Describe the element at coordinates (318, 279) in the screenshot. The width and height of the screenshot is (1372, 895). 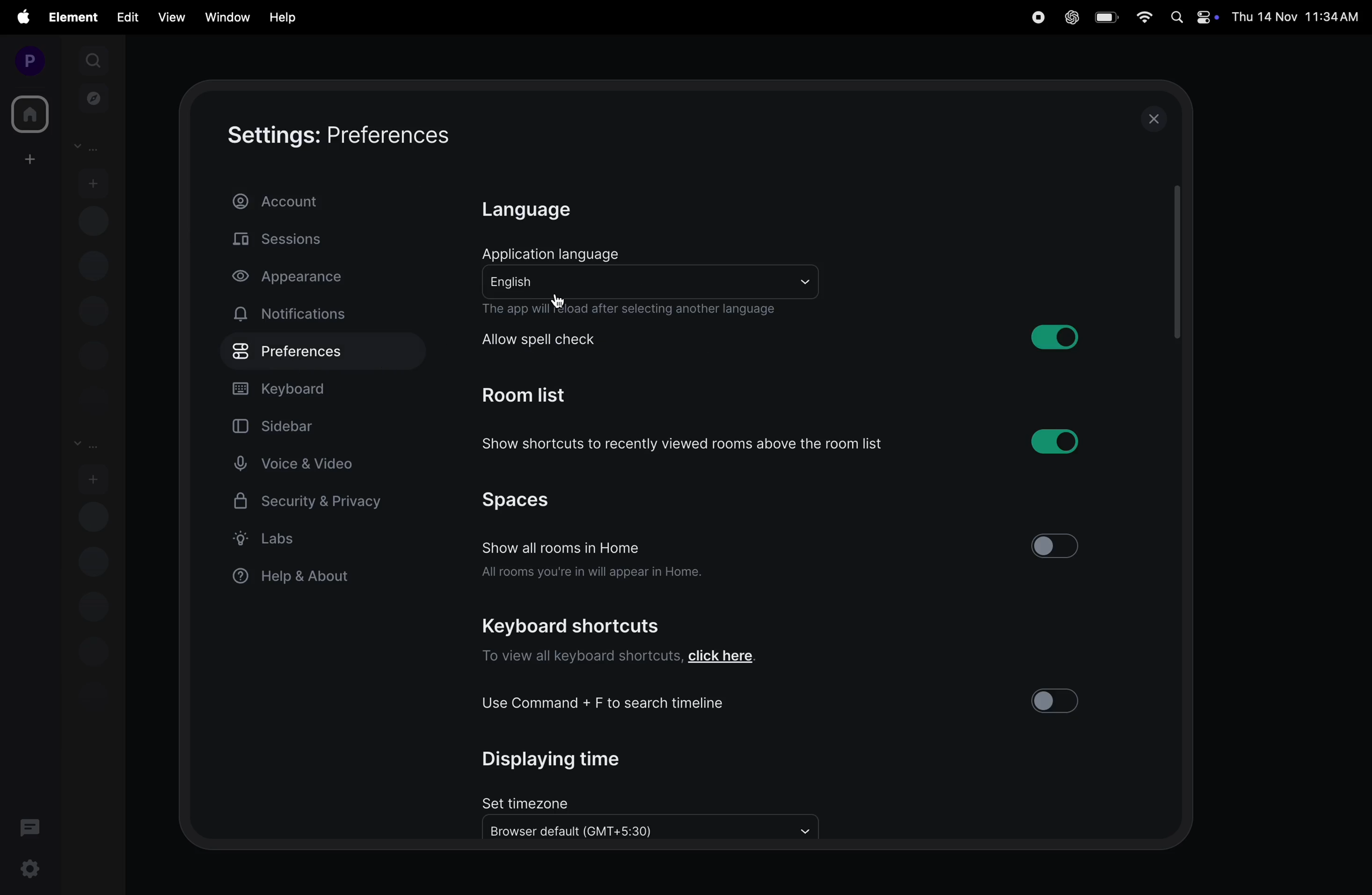
I see `apperance` at that location.